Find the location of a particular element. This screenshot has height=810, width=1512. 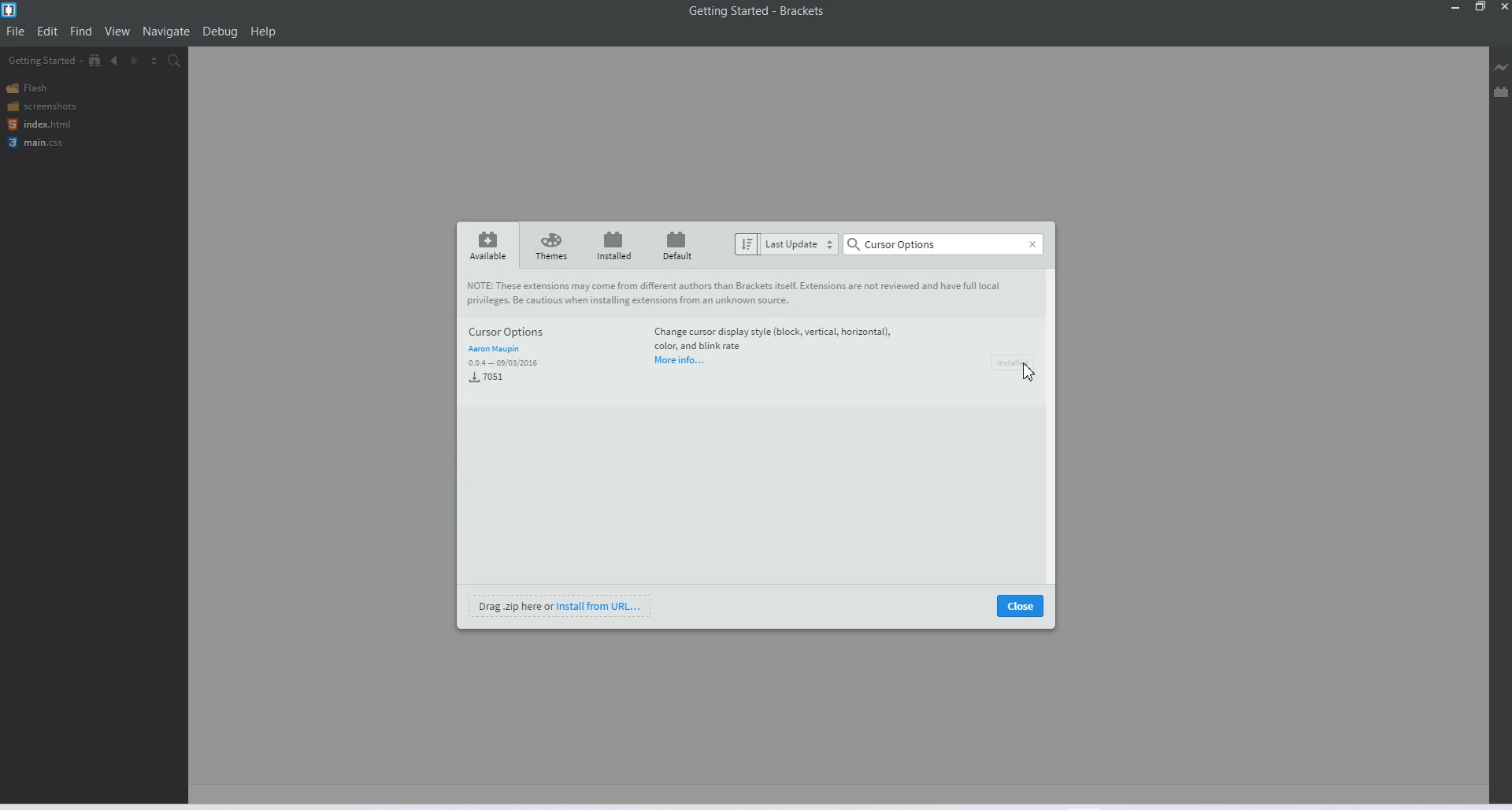

Find in Files is located at coordinates (175, 61).